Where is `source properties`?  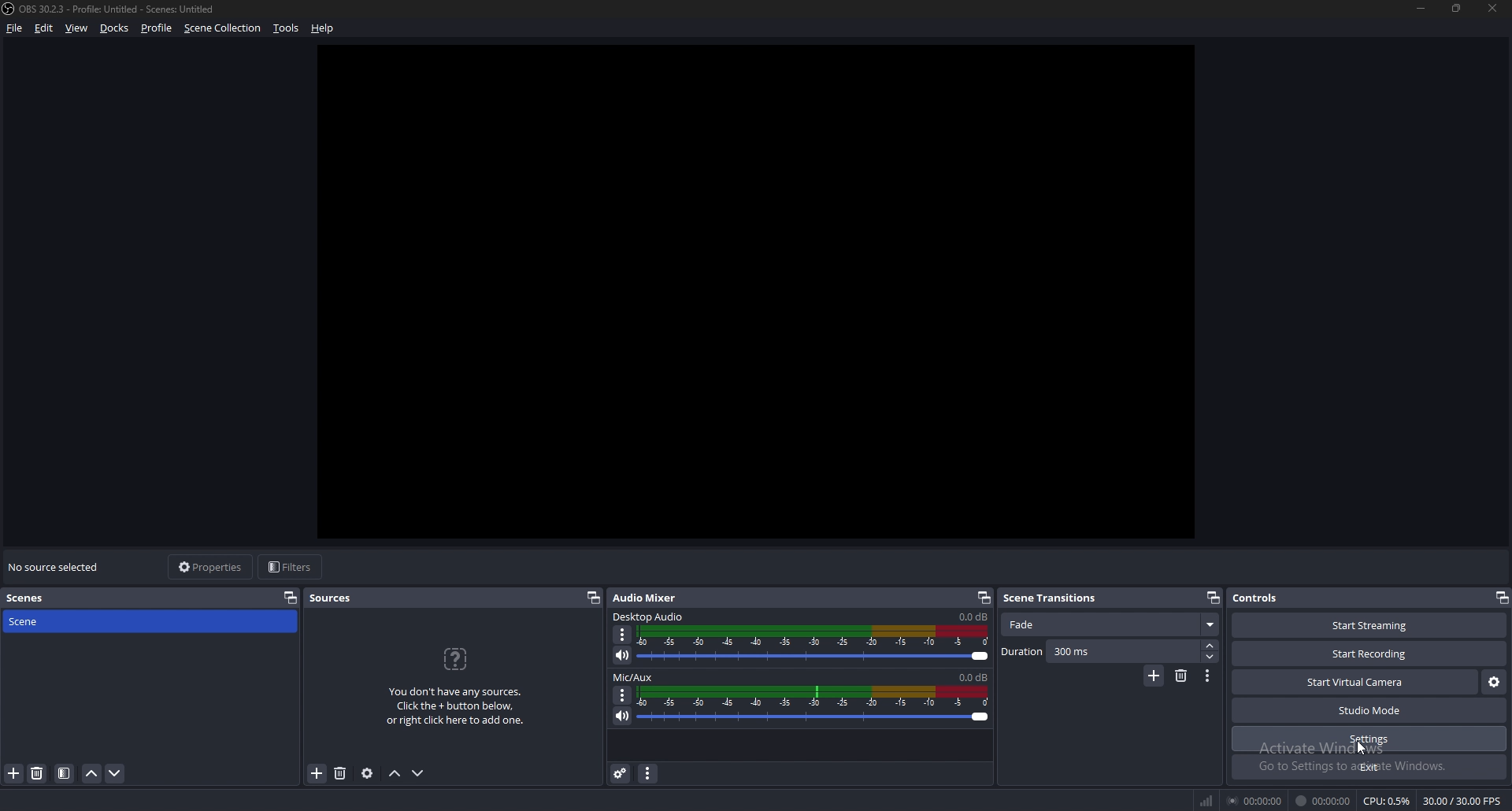
source properties is located at coordinates (366, 774).